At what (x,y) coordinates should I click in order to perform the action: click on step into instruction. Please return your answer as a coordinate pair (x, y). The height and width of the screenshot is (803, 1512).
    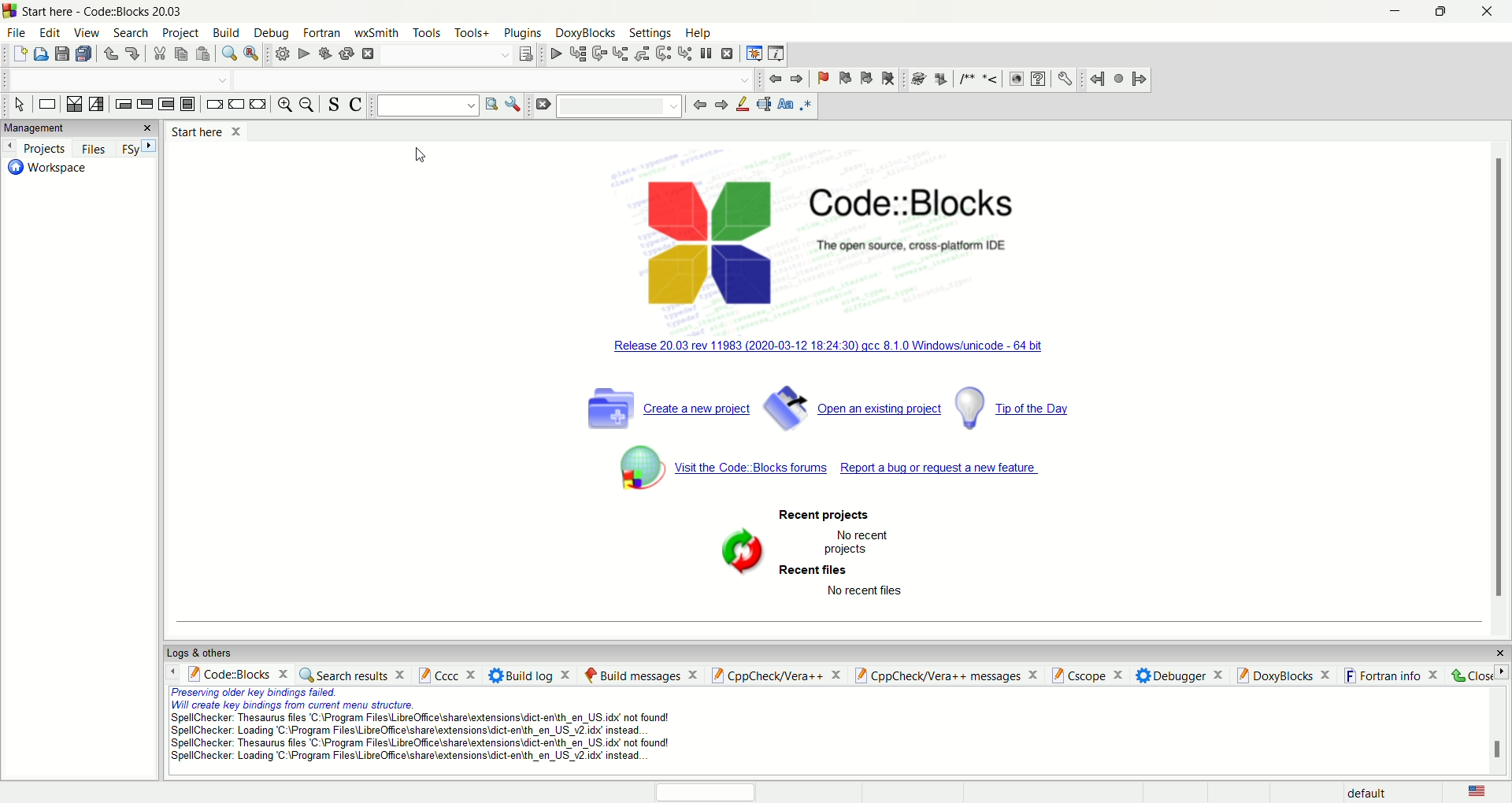
    Looking at the image, I should click on (685, 54).